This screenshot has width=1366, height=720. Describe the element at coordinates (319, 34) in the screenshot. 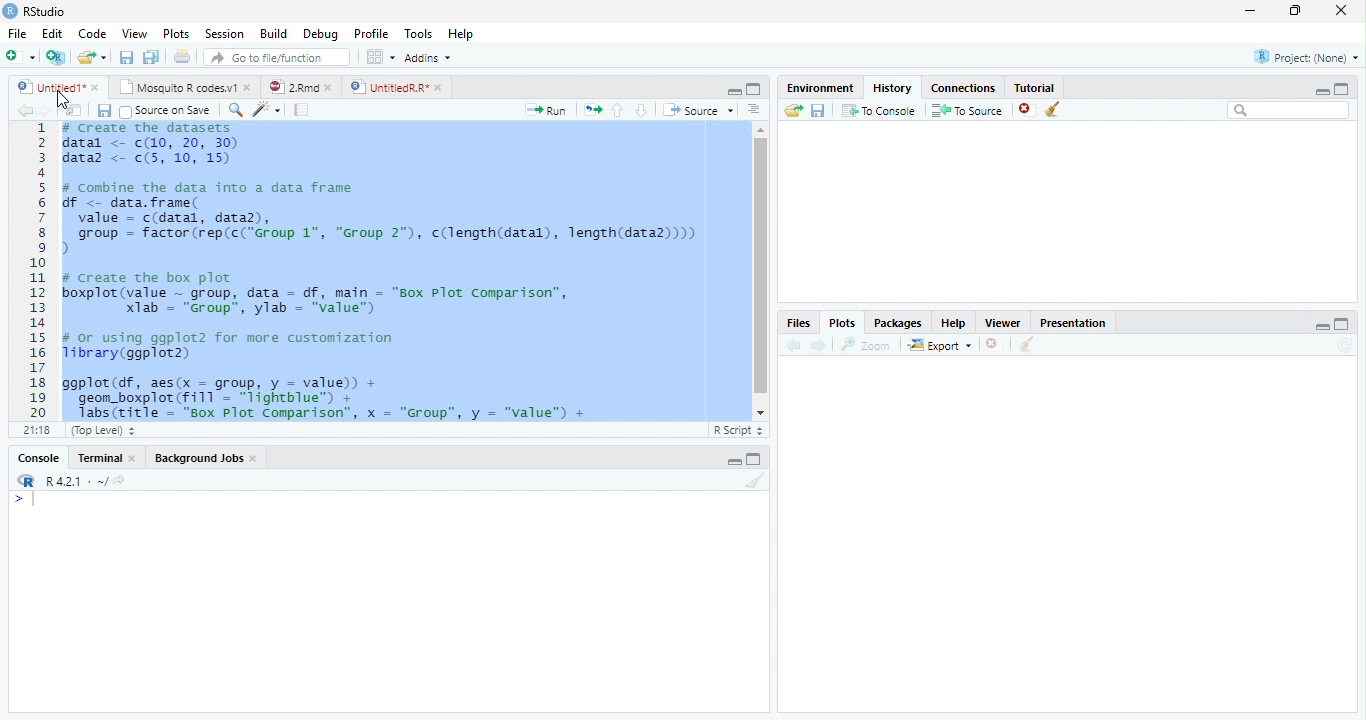

I see `Debug` at that location.